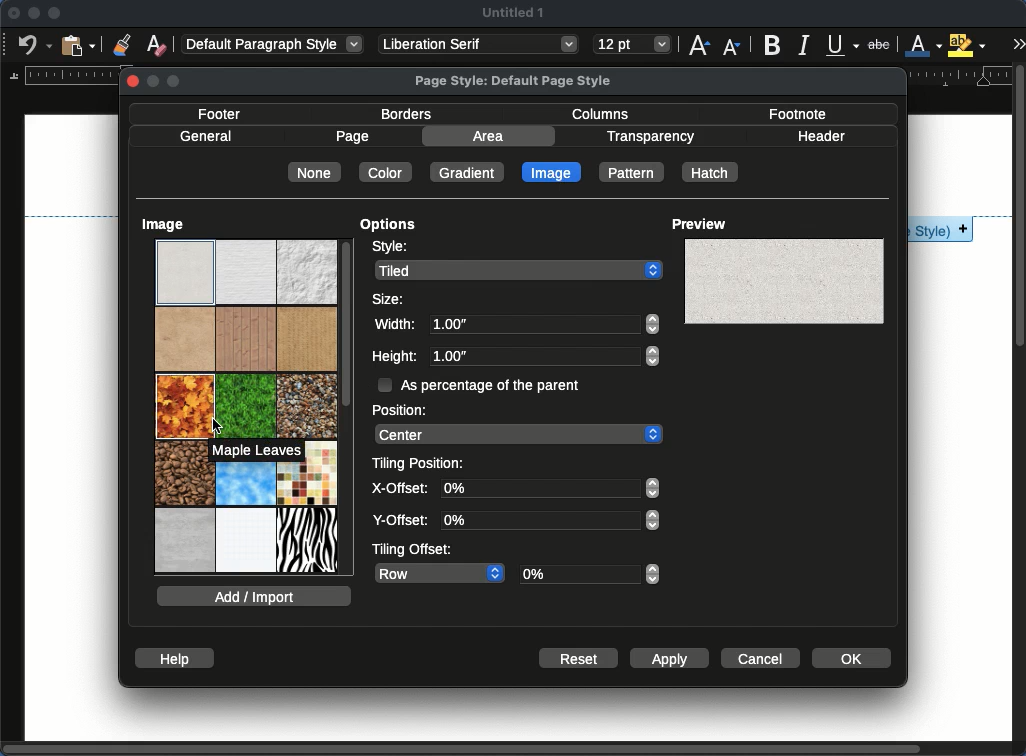  I want to click on scroll, so click(346, 403).